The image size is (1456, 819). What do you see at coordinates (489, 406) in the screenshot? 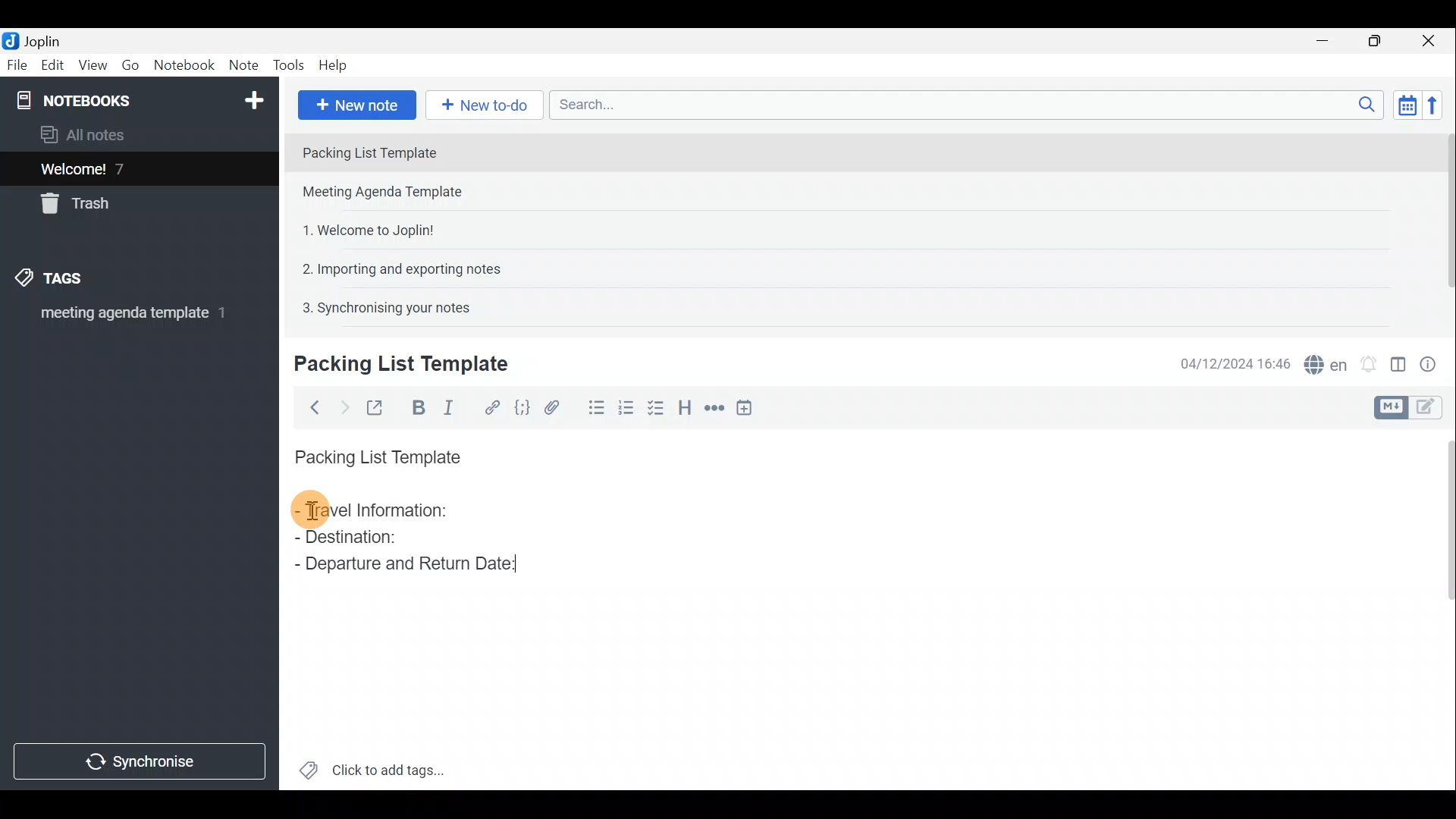
I see `Hyperlink` at bounding box center [489, 406].